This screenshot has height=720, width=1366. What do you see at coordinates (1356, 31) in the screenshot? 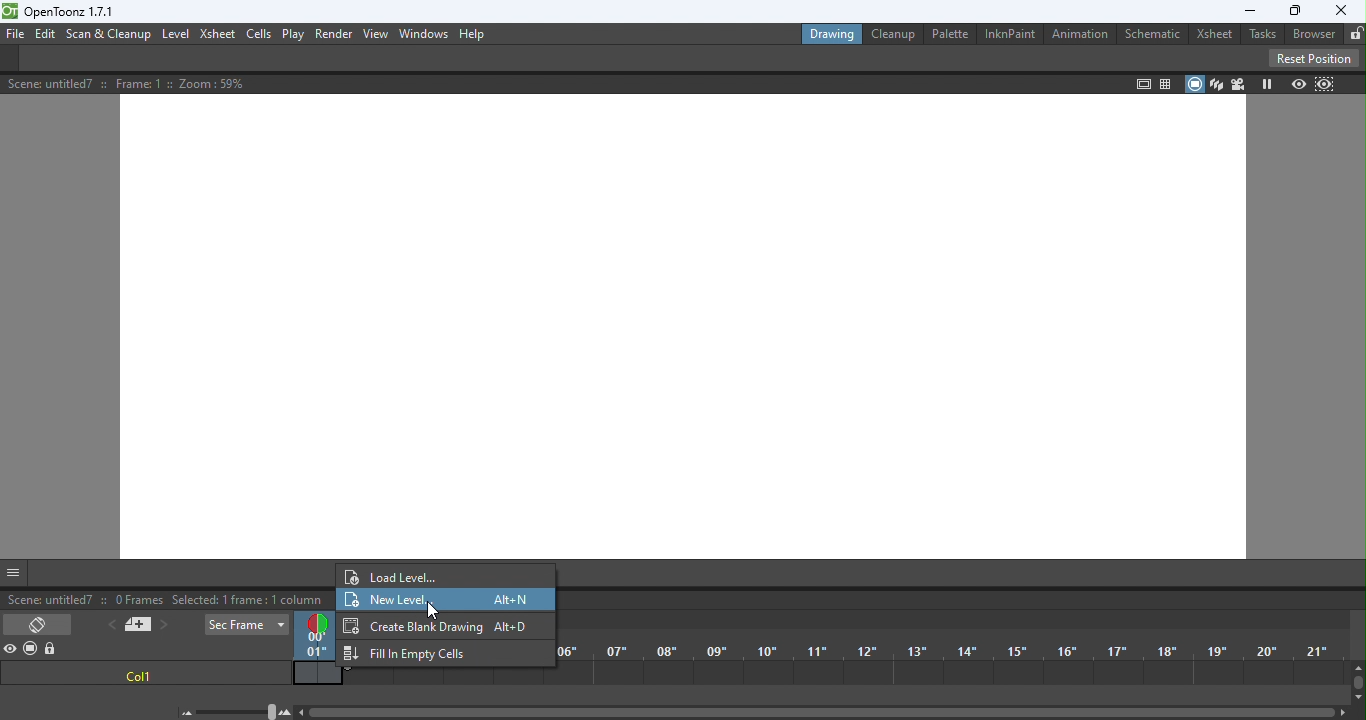
I see `unlocked` at bounding box center [1356, 31].